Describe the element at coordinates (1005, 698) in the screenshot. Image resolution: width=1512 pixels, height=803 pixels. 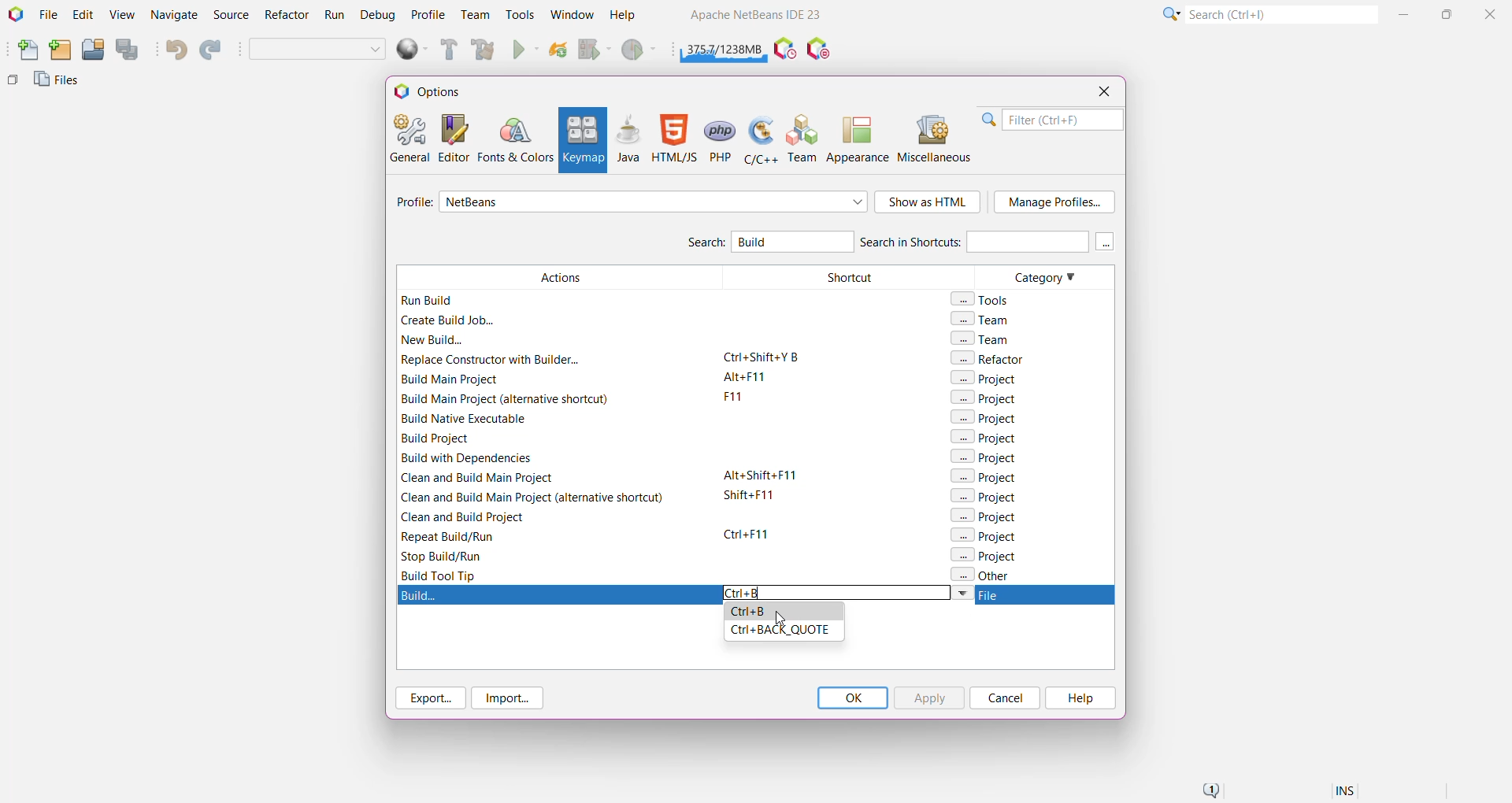
I see `Cancel` at that location.